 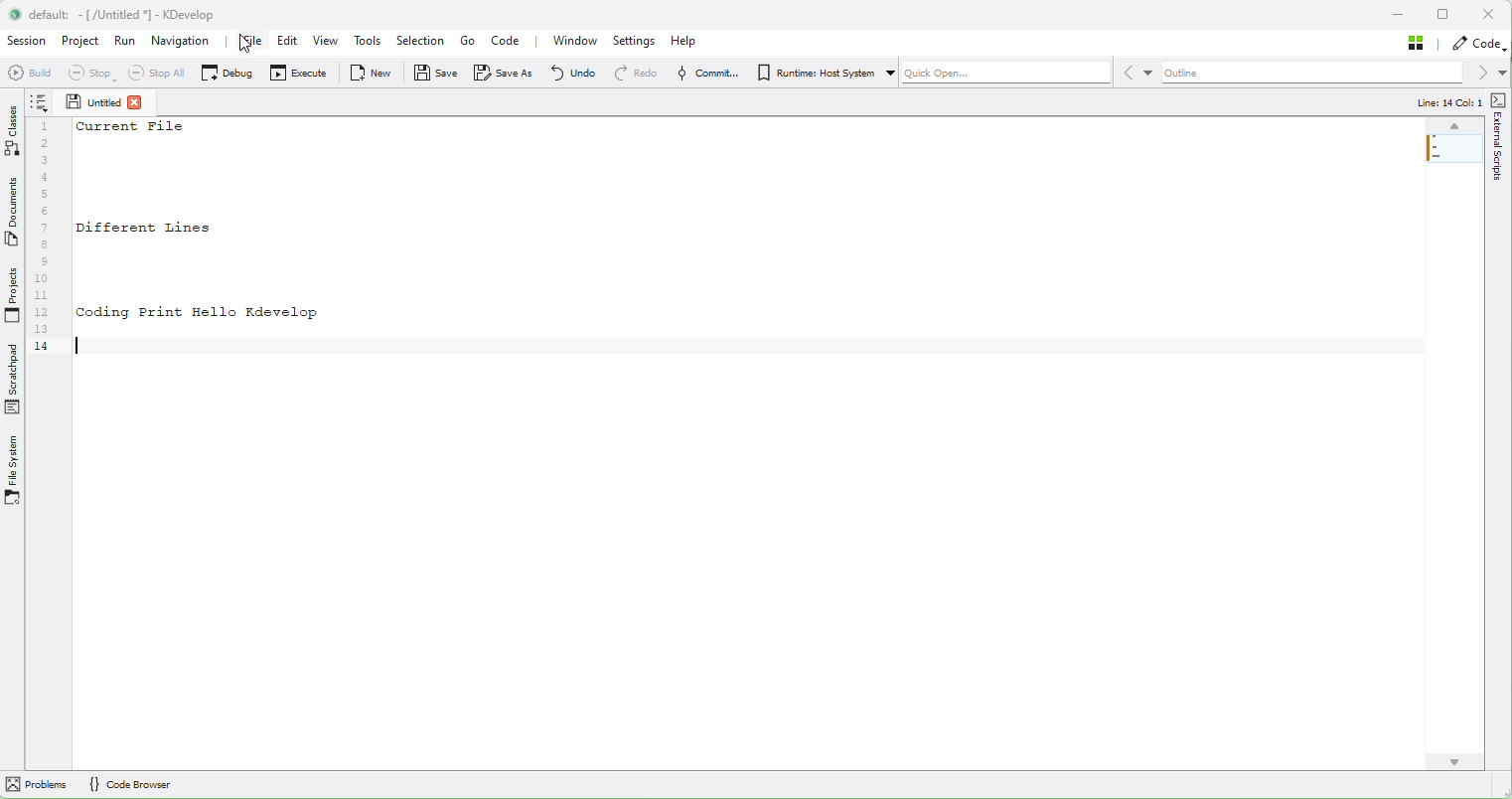 I want to click on Documents, so click(x=13, y=219).